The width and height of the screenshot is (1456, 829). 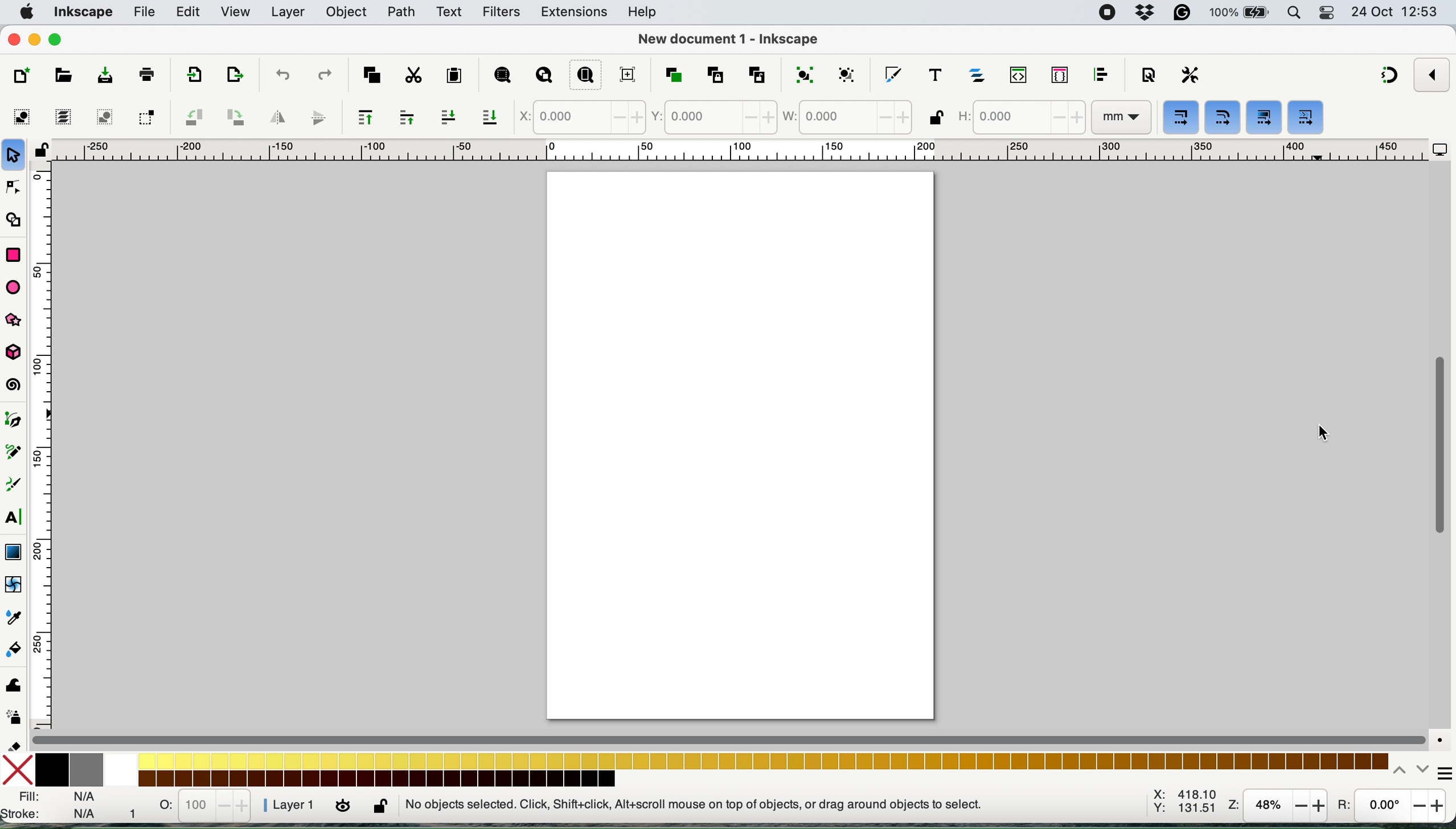 I want to click on horizontal scroll bar, so click(x=731, y=739).